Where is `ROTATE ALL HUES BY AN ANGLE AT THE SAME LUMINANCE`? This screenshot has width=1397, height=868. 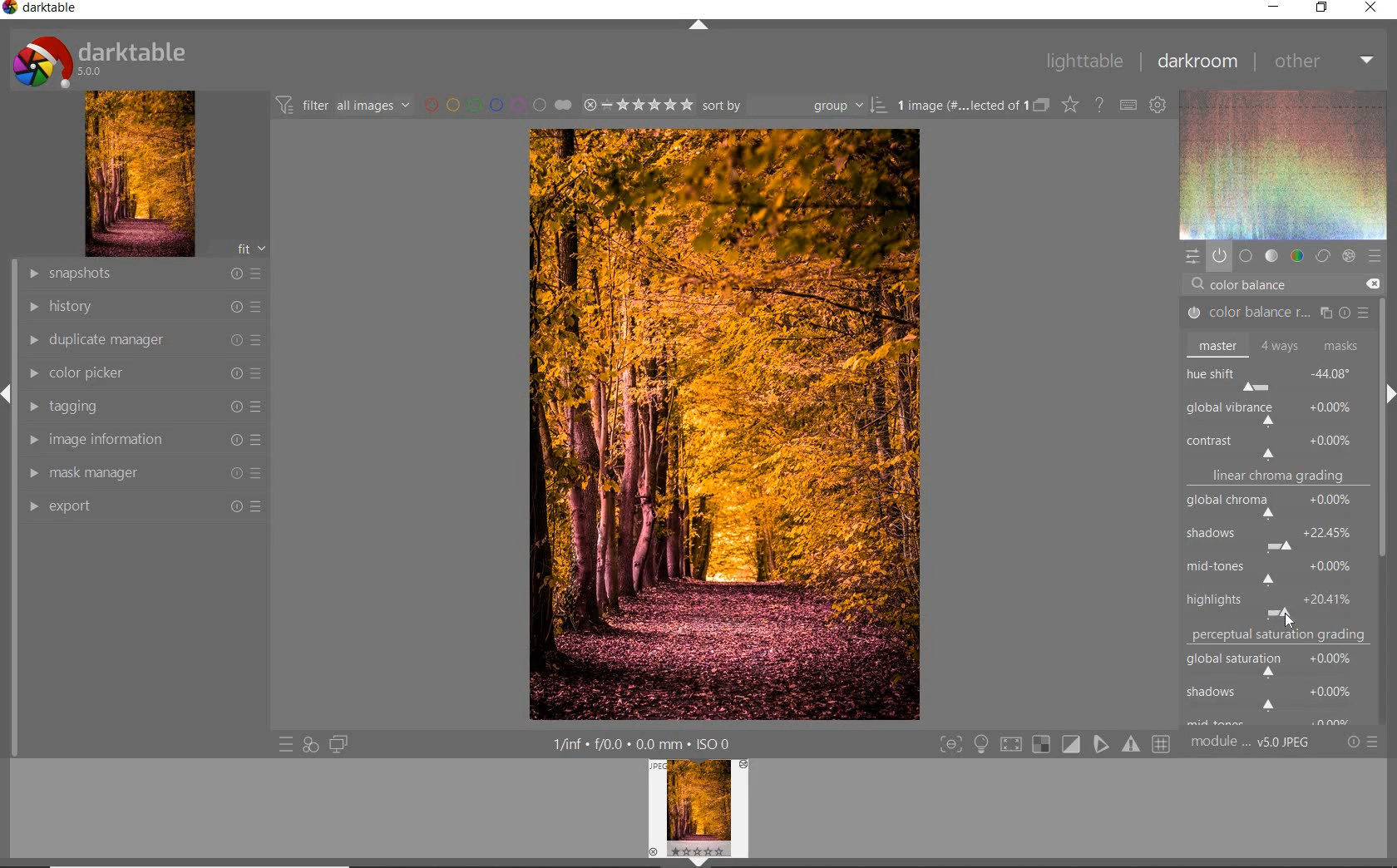
ROTATE ALL HUES BY AN ANGLE AT THE SAME LUMINANCE is located at coordinates (1252, 411).